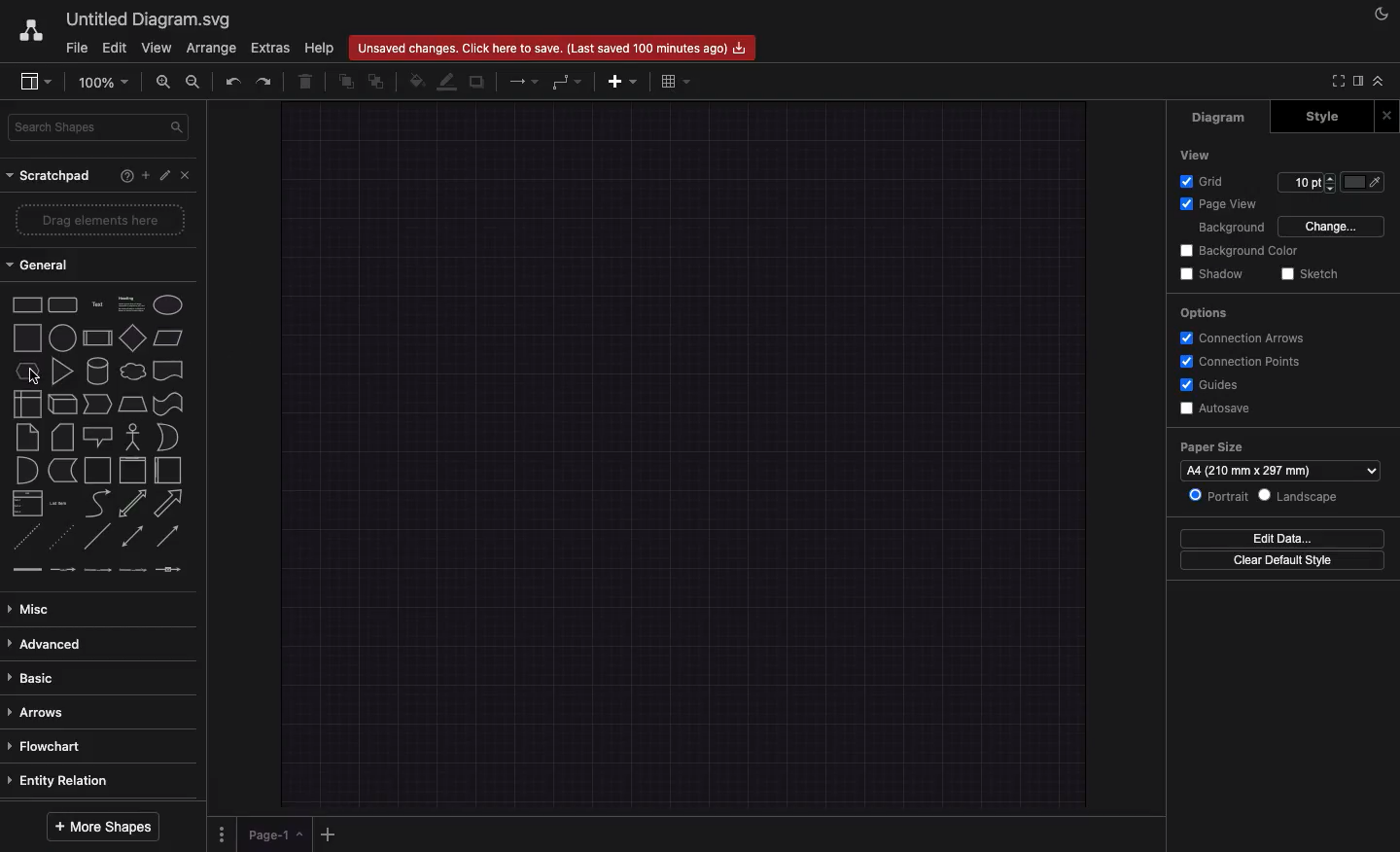 This screenshot has height=852, width=1400. Describe the element at coordinates (187, 175) in the screenshot. I see `Close` at that location.